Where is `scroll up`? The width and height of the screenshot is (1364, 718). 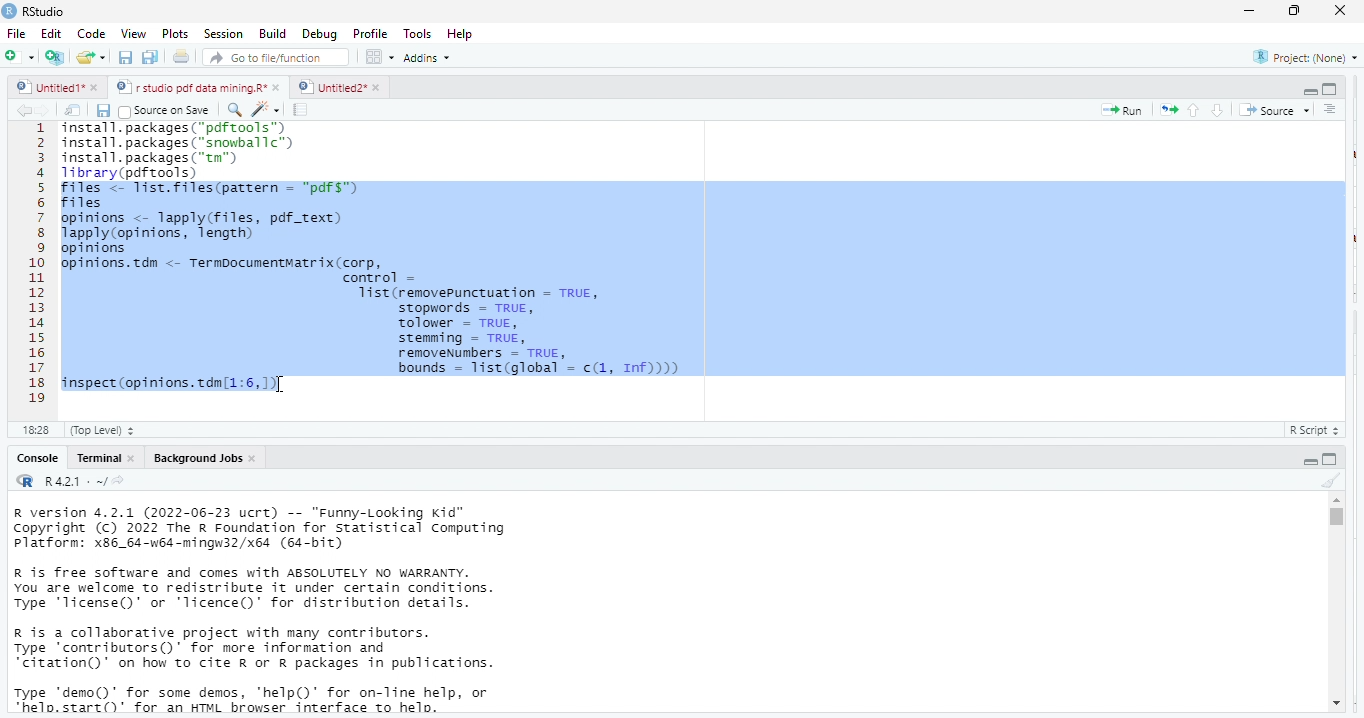 scroll up is located at coordinates (1336, 500).